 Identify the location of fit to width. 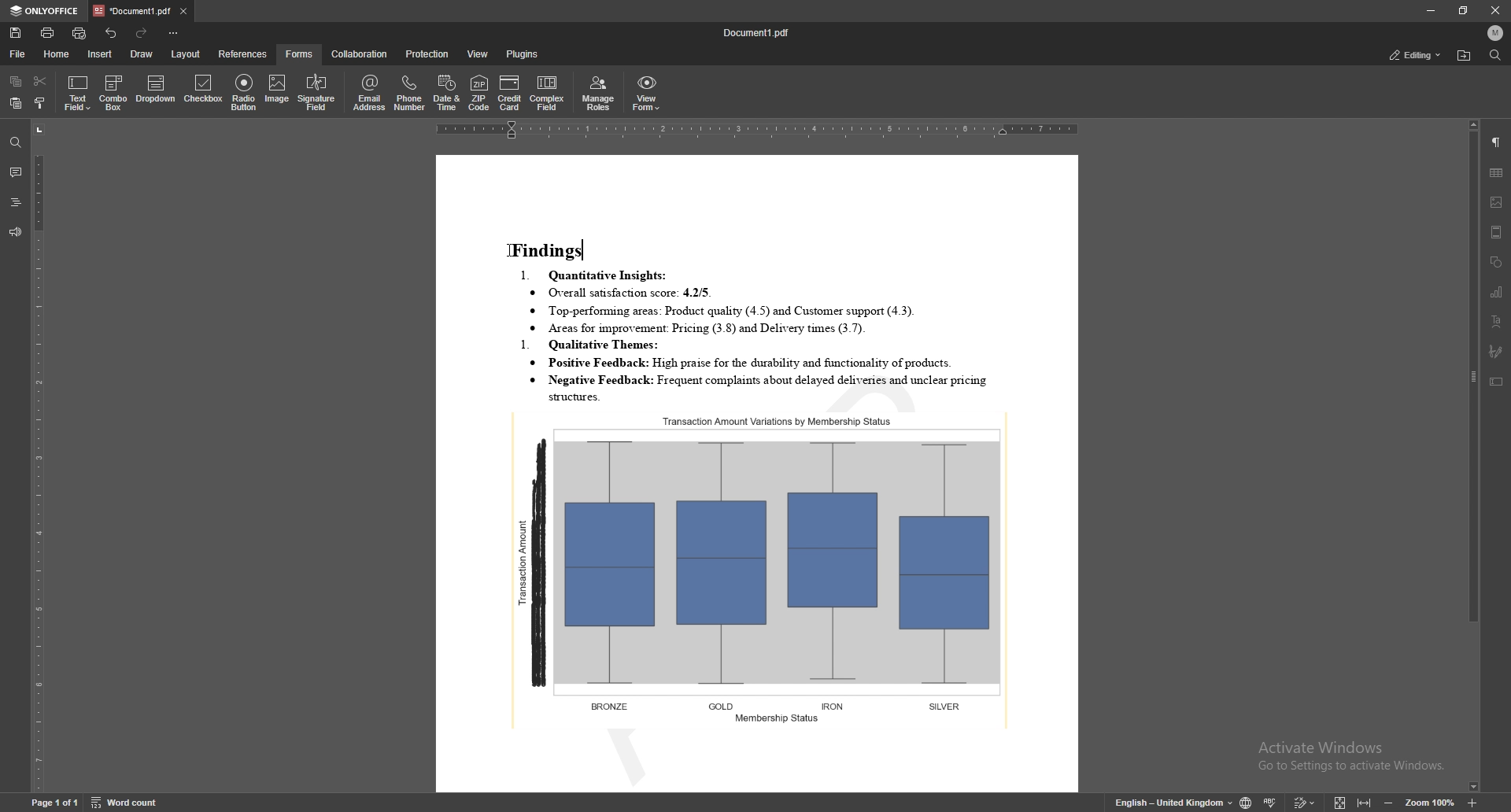
(1364, 803).